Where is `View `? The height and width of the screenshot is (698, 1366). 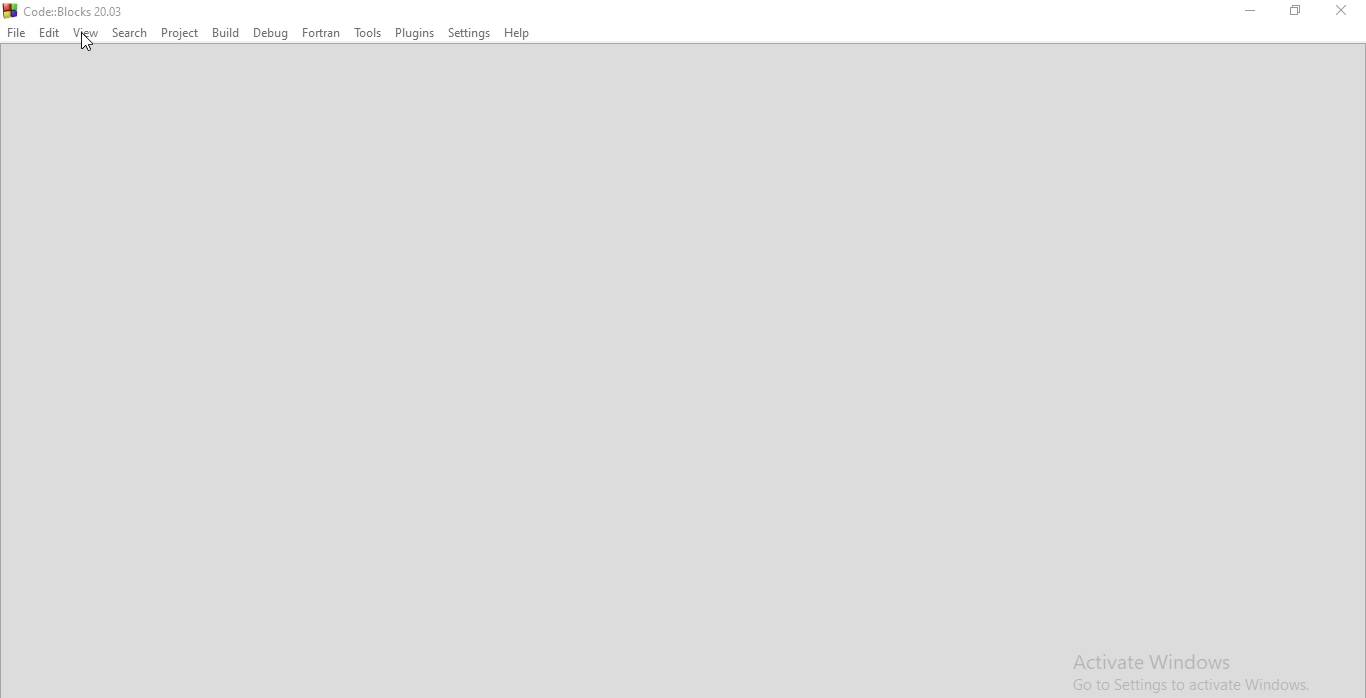
View  is located at coordinates (86, 32).